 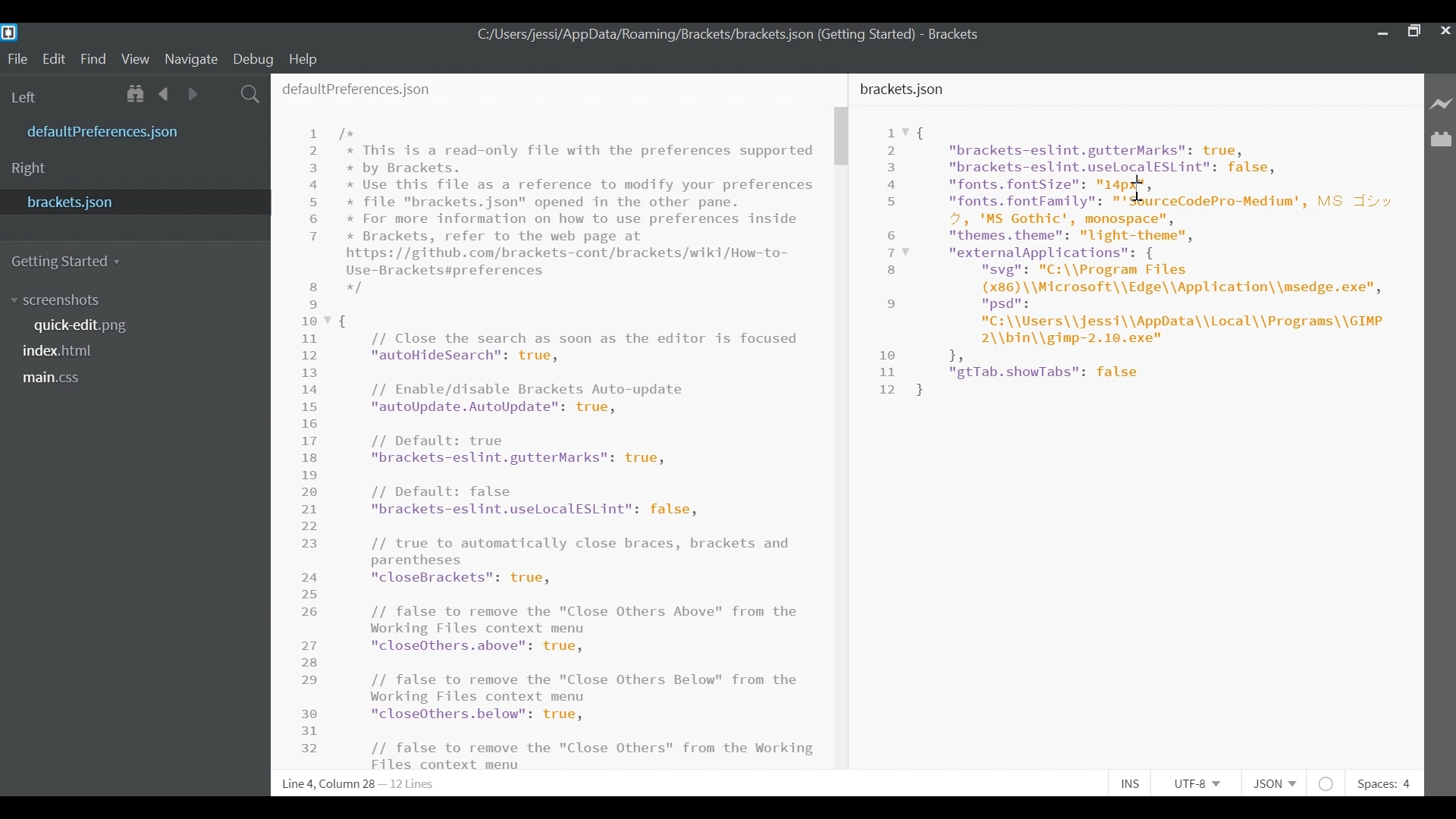 What do you see at coordinates (136, 58) in the screenshot?
I see `View ` at bounding box center [136, 58].